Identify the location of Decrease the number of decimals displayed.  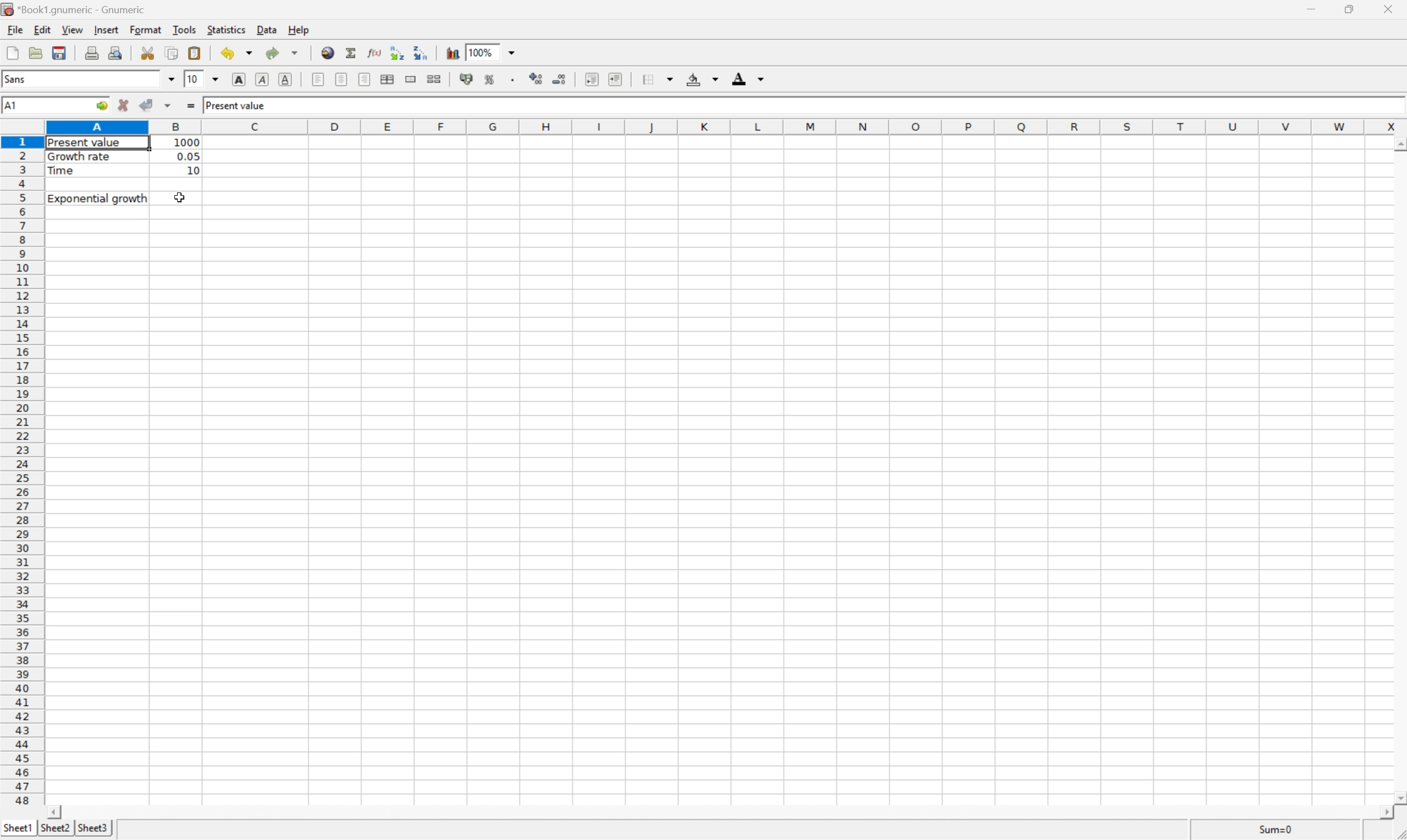
(559, 79).